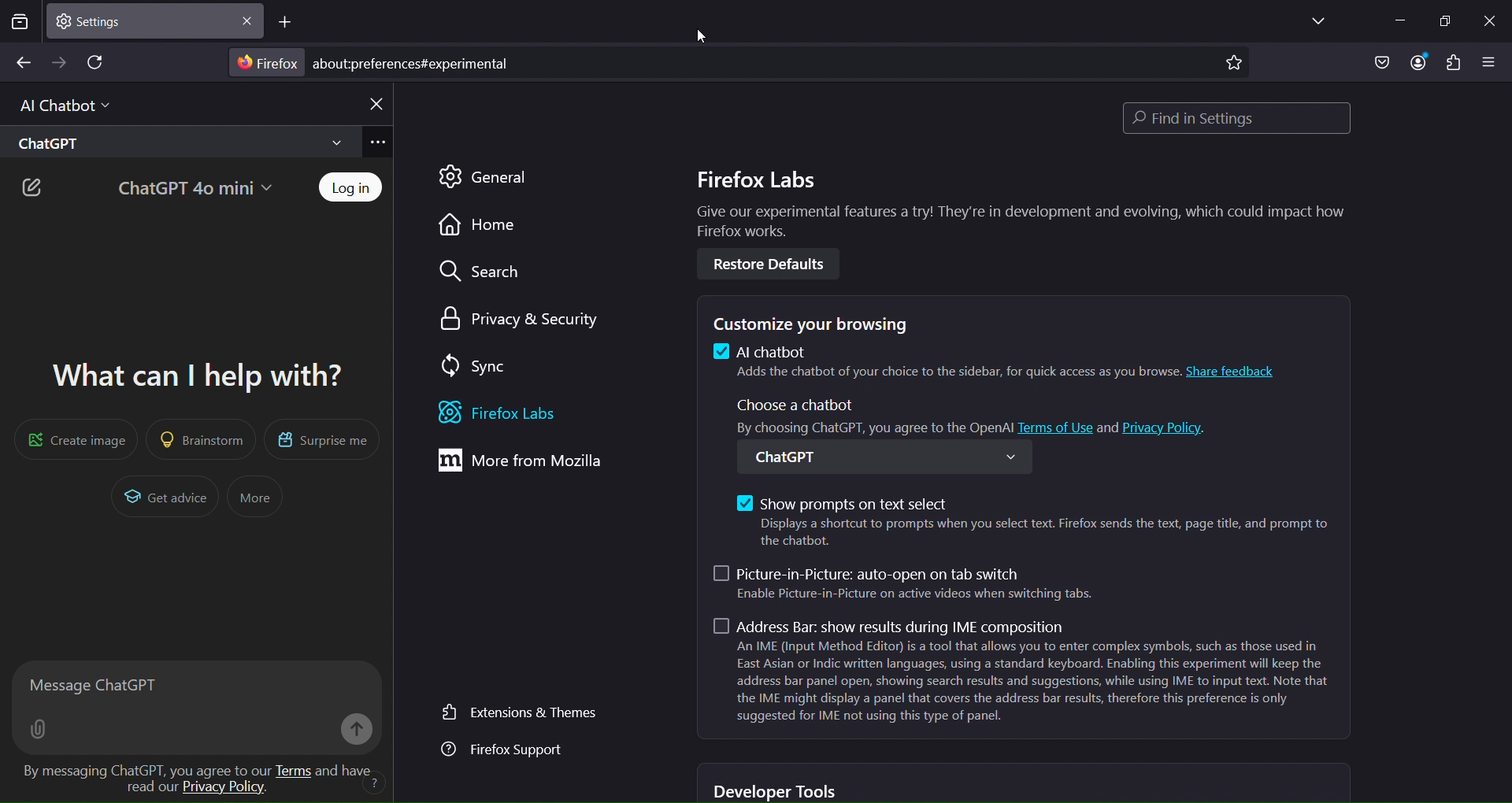 This screenshot has height=803, width=1512. Describe the element at coordinates (192, 186) in the screenshot. I see `ChatGPT 40 mini v` at that location.